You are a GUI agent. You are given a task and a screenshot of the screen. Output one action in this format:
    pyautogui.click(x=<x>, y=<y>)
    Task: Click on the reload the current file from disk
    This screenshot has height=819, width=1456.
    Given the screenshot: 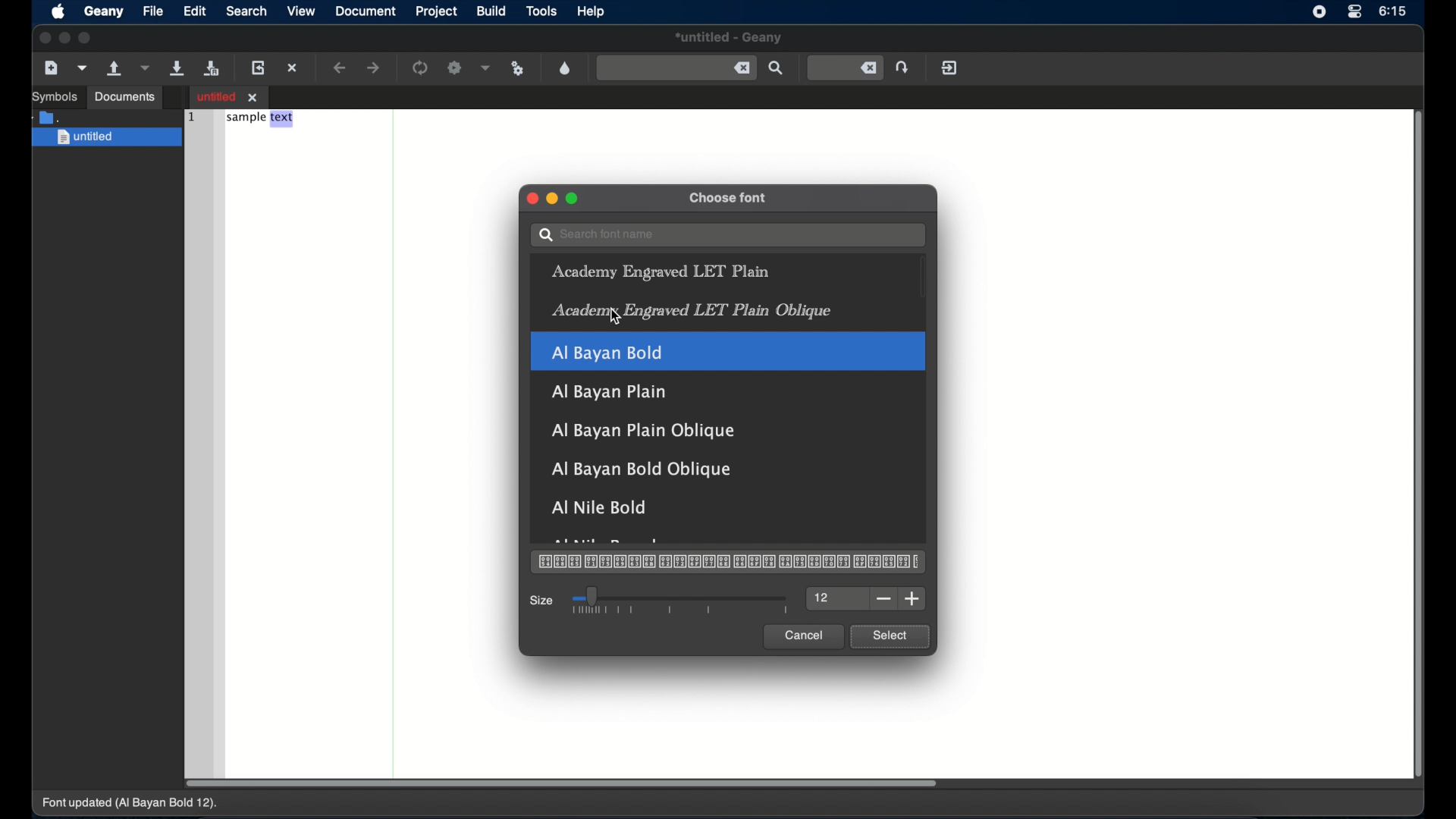 What is the action you would take?
    pyautogui.click(x=260, y=67)
    